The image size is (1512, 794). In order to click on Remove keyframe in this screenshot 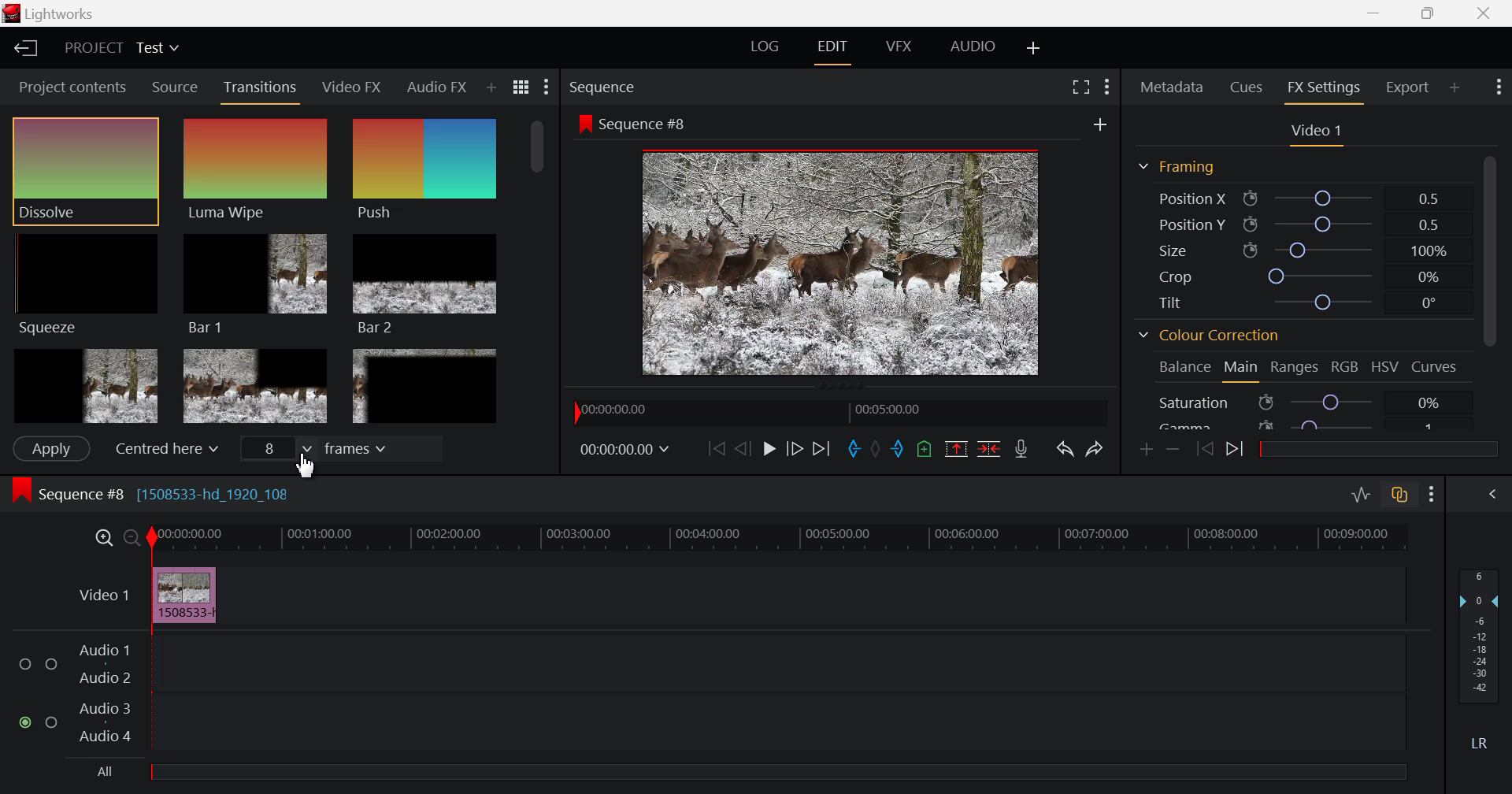, I will do `click(1177, 448)`.